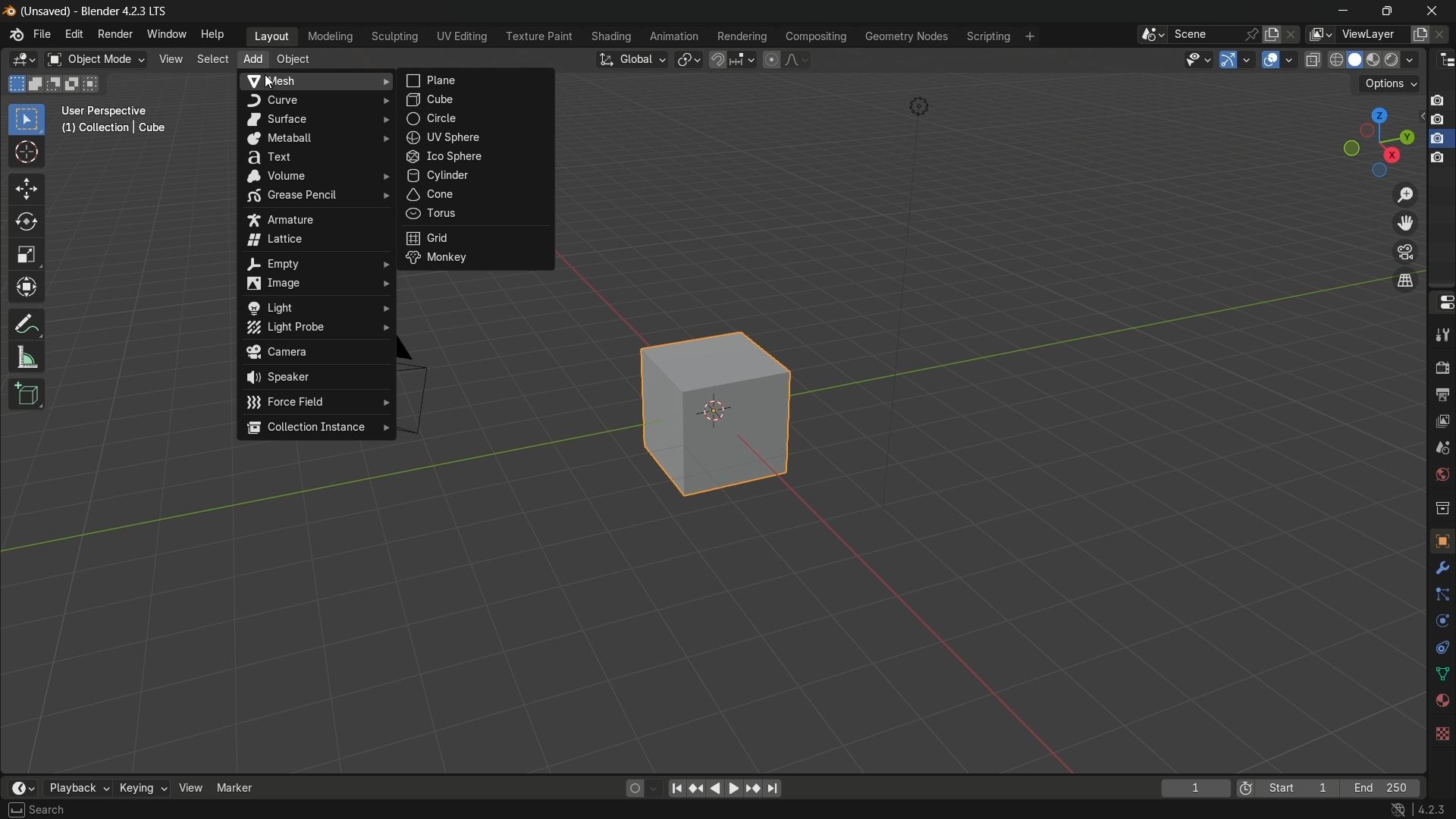 Image resolution: width=1456 pixels, height=819 pixels. What do you see at coordinates (47, 810) in the screenshot?
I see `Search` at bounding box center [47, 810].